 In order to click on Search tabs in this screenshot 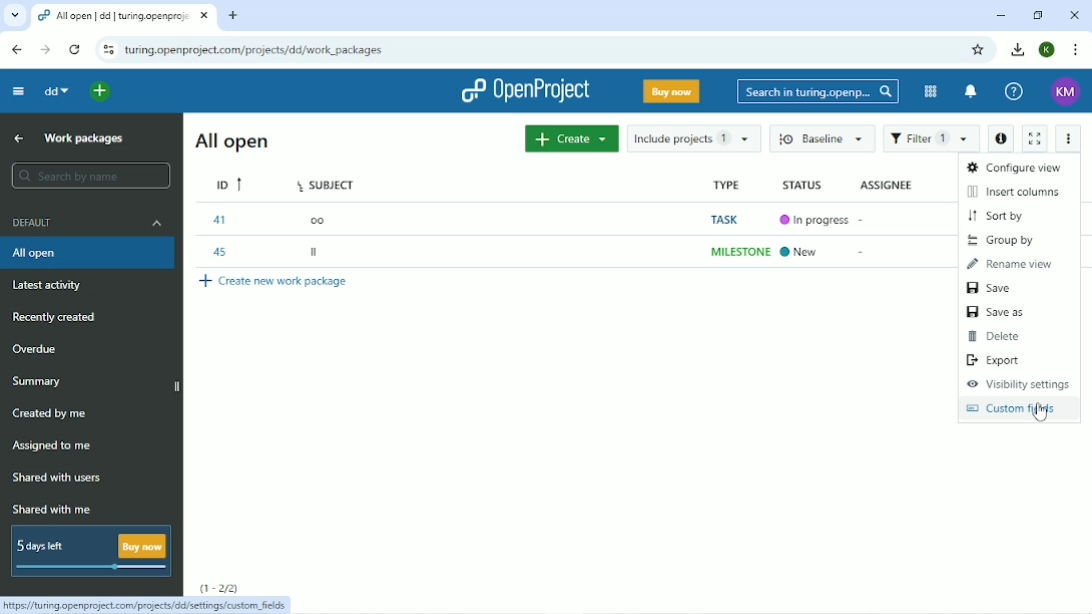, I will do `click(14, 14)`.